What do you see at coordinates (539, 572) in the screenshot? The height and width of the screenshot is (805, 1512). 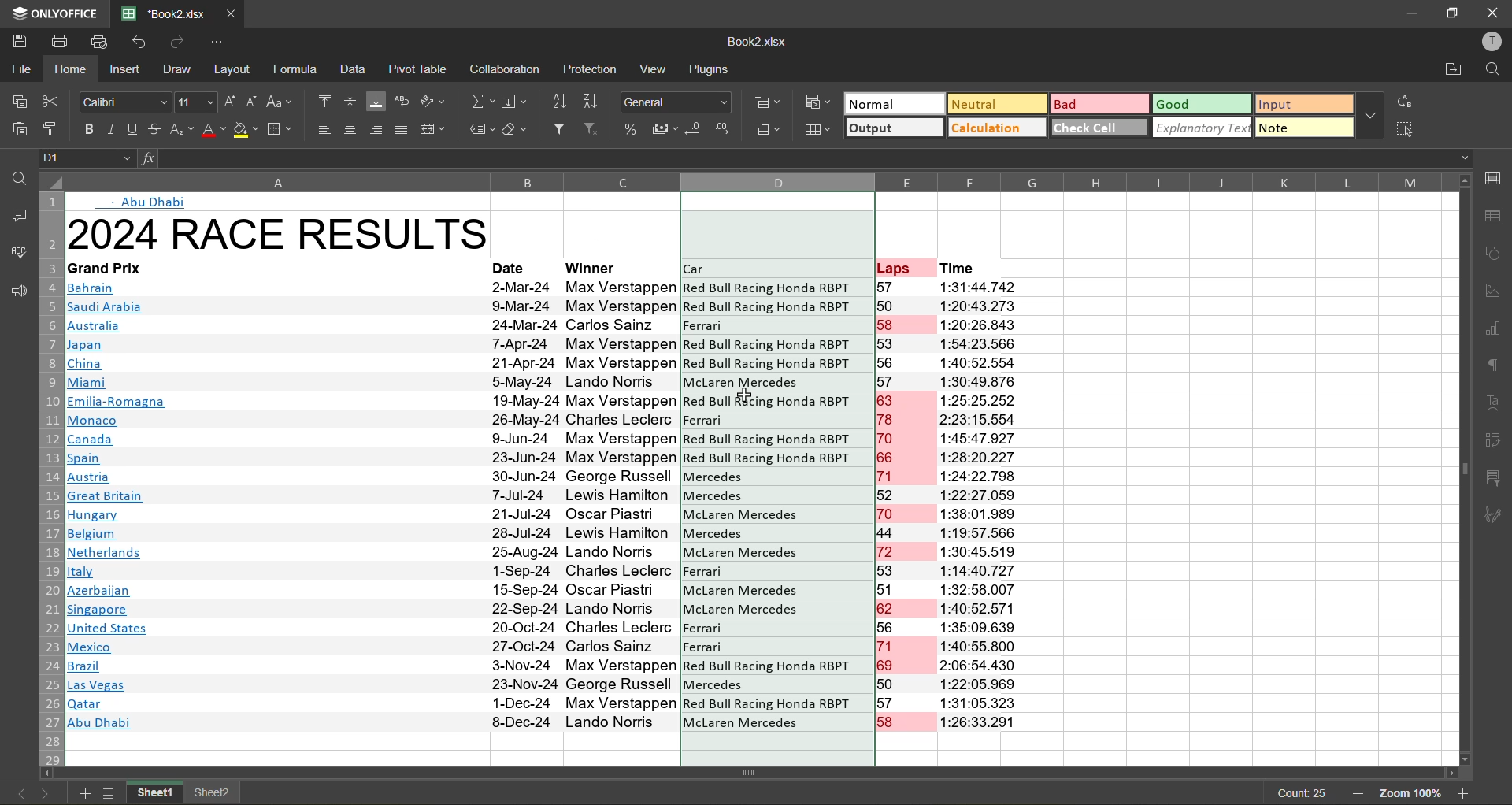 I see `italy 1-Sep-24 Charles Leclerc Ferrari 53 1:14:40.72` at bounding box center [539, 572].